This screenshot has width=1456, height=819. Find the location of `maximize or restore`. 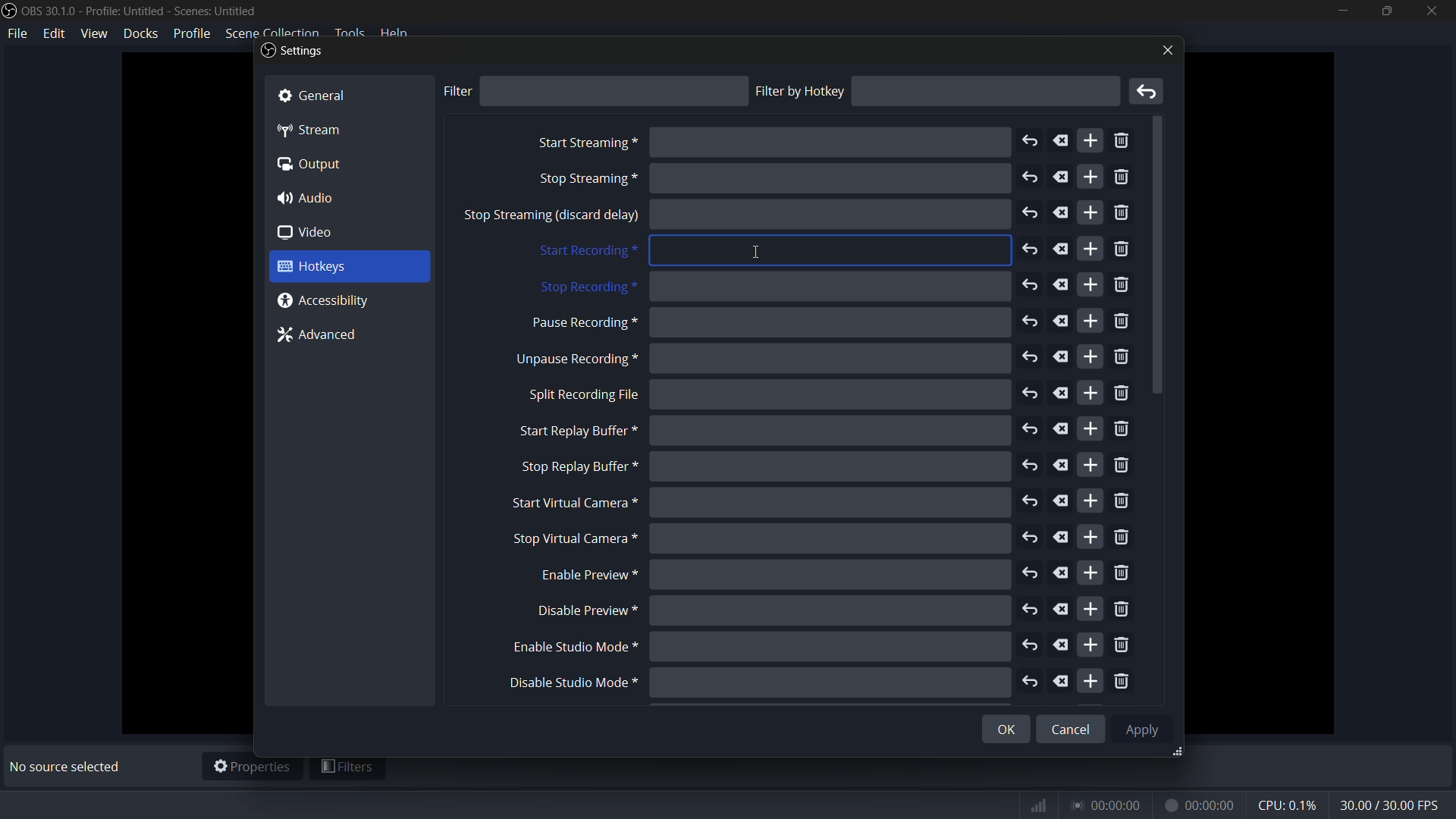

maximize or restore is located at coordinates (1385, 11).